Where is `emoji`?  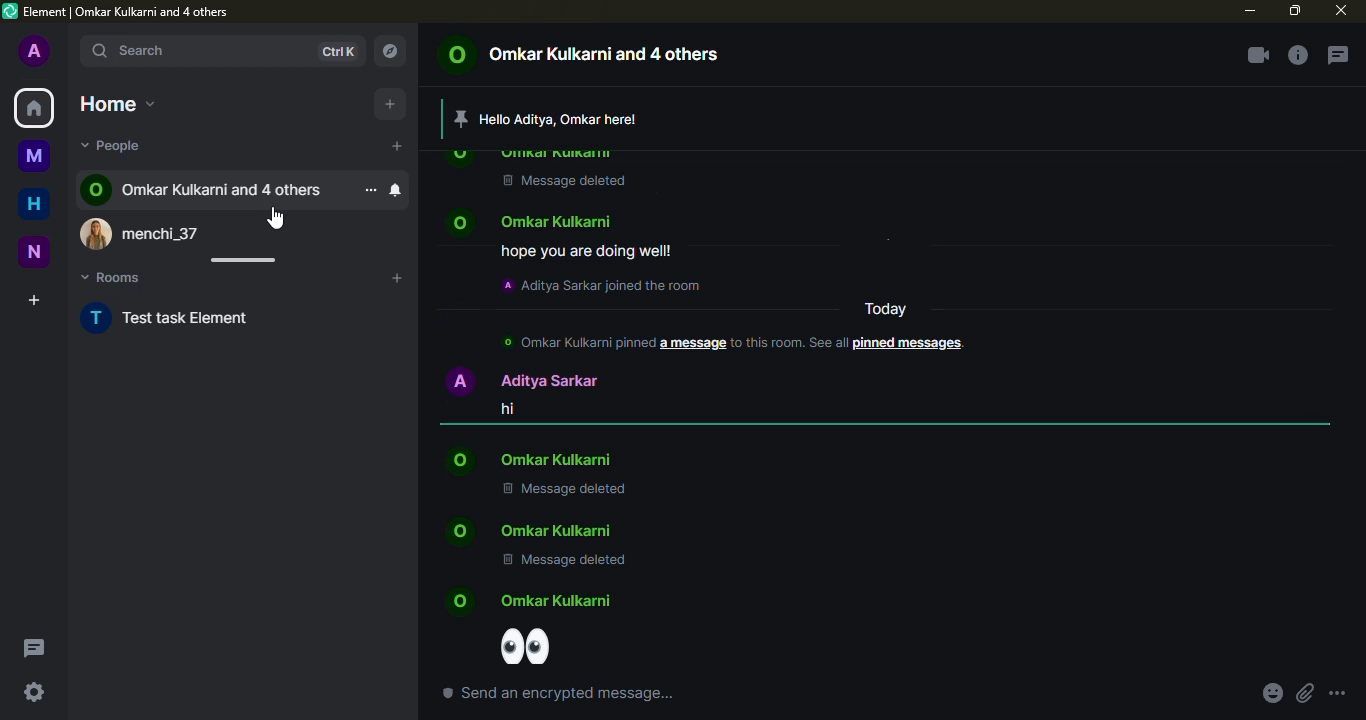
emoji is located at coordinates (1271, 694).